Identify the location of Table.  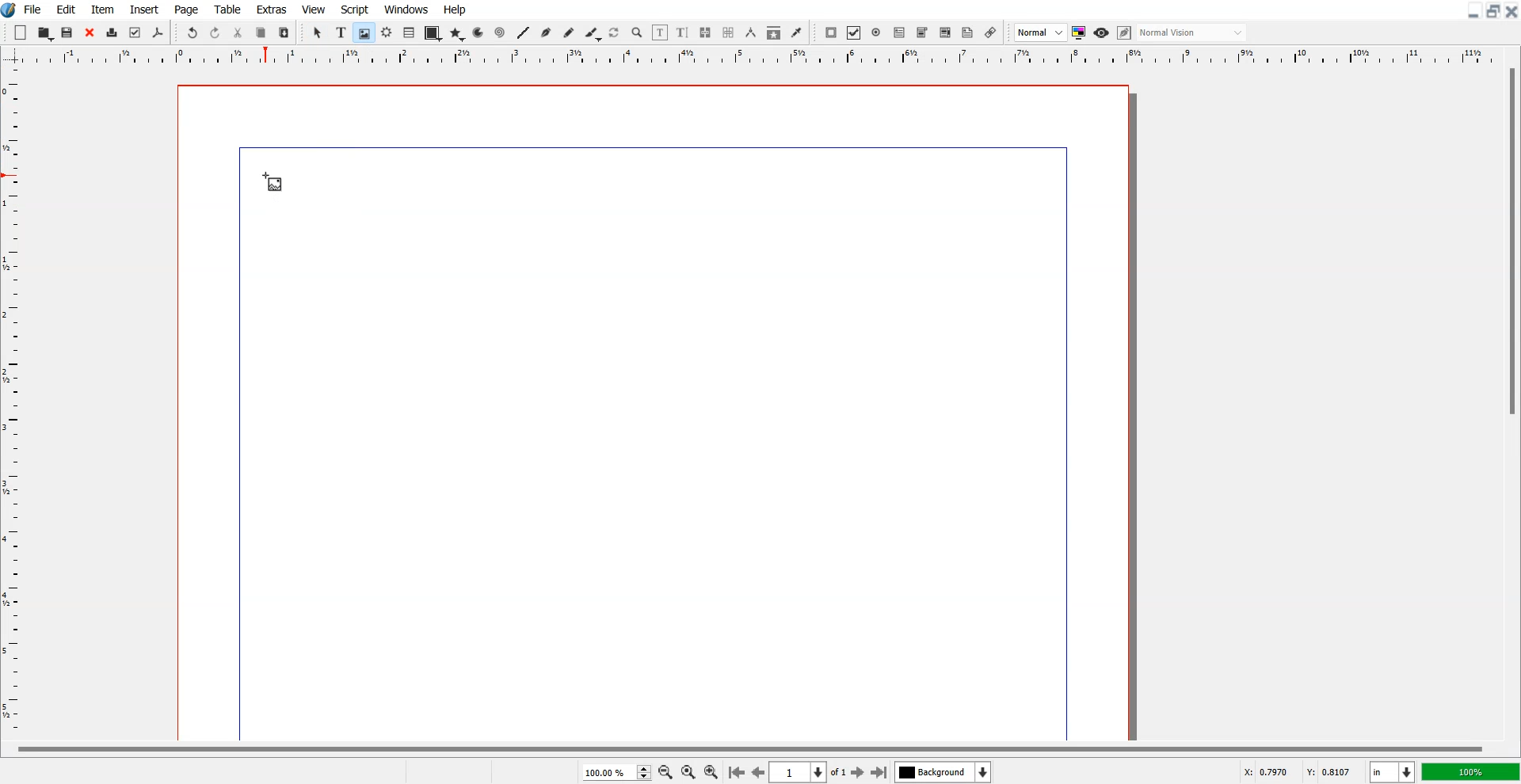
(227, 9).